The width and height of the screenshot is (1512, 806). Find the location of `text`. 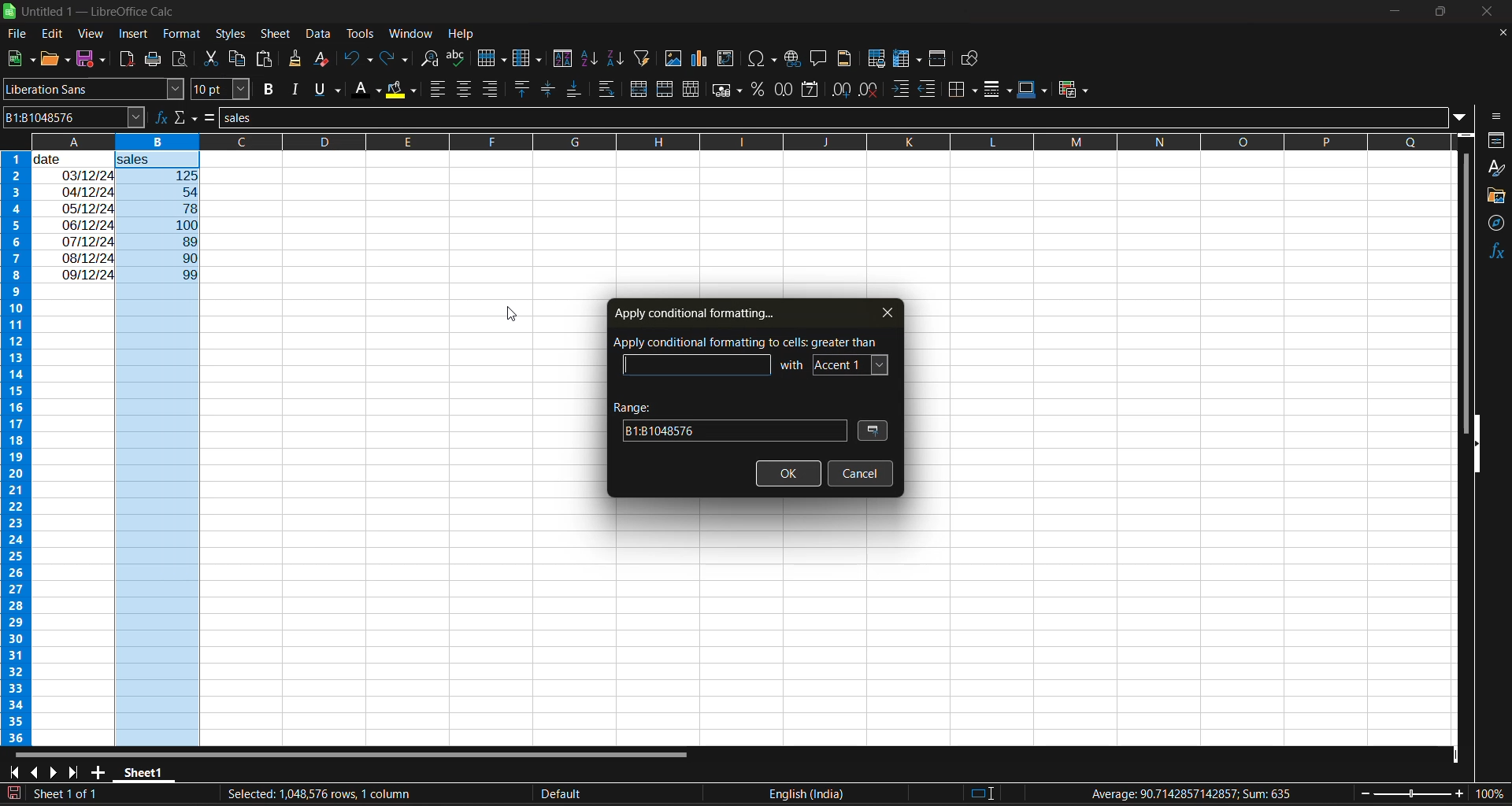

text is located at coordinates (793, 363).